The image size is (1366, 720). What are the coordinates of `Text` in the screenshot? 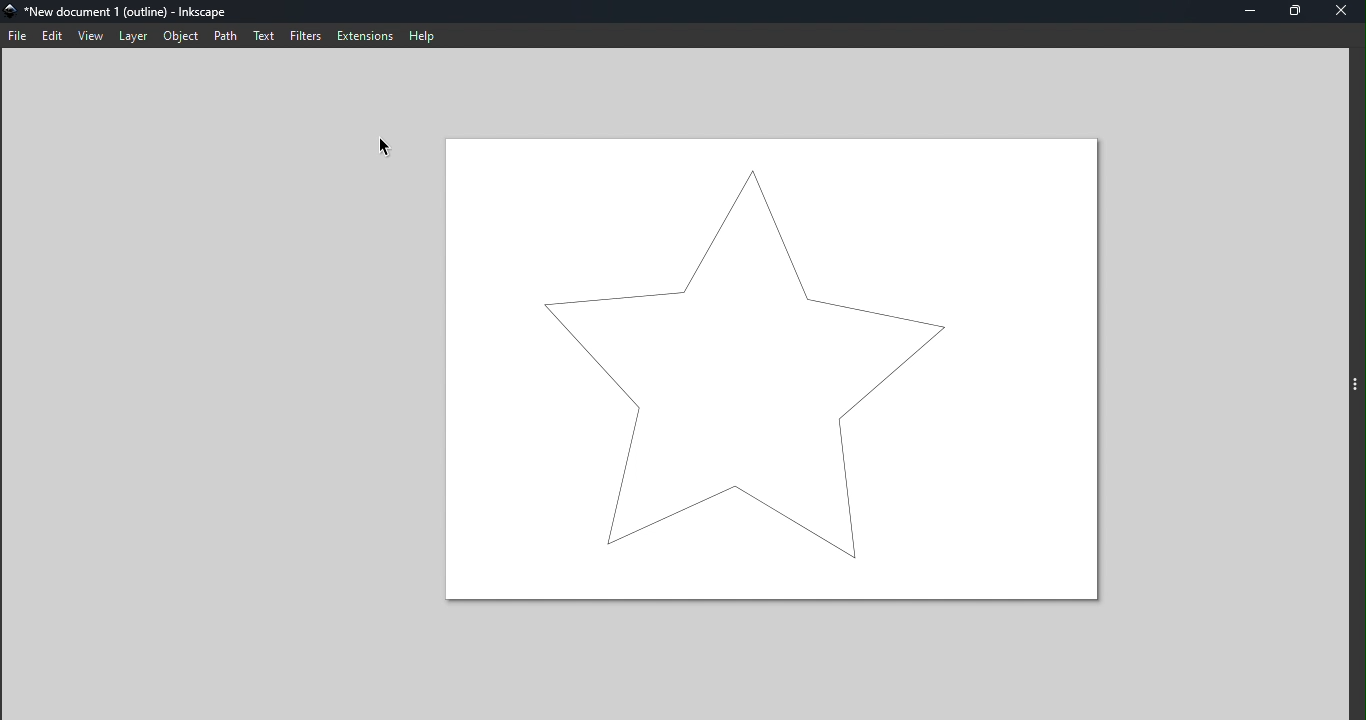 It's located at (263, 36).